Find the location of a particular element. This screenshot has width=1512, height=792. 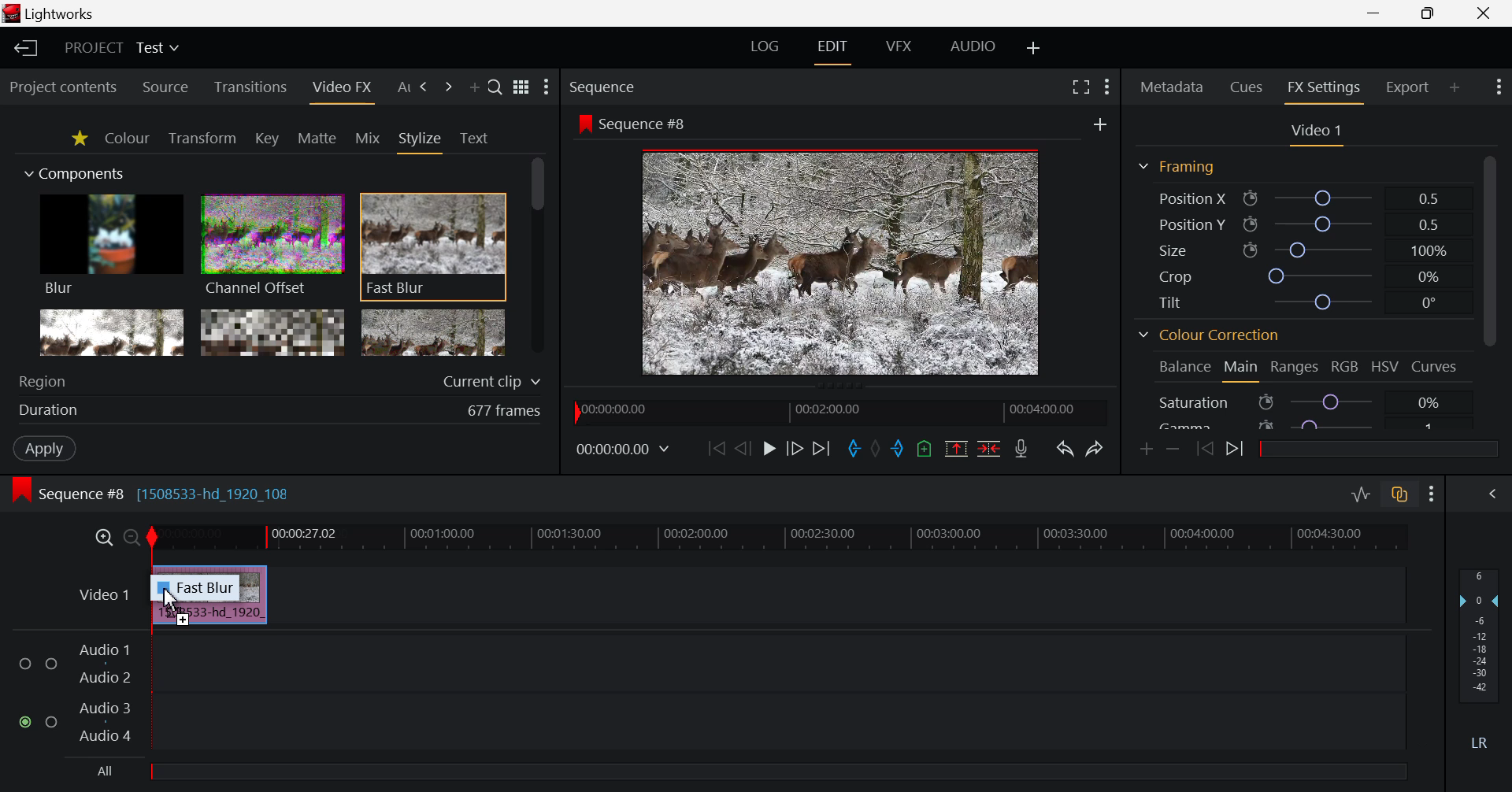

Toggle list and title view is located at coordinates (521, 87).